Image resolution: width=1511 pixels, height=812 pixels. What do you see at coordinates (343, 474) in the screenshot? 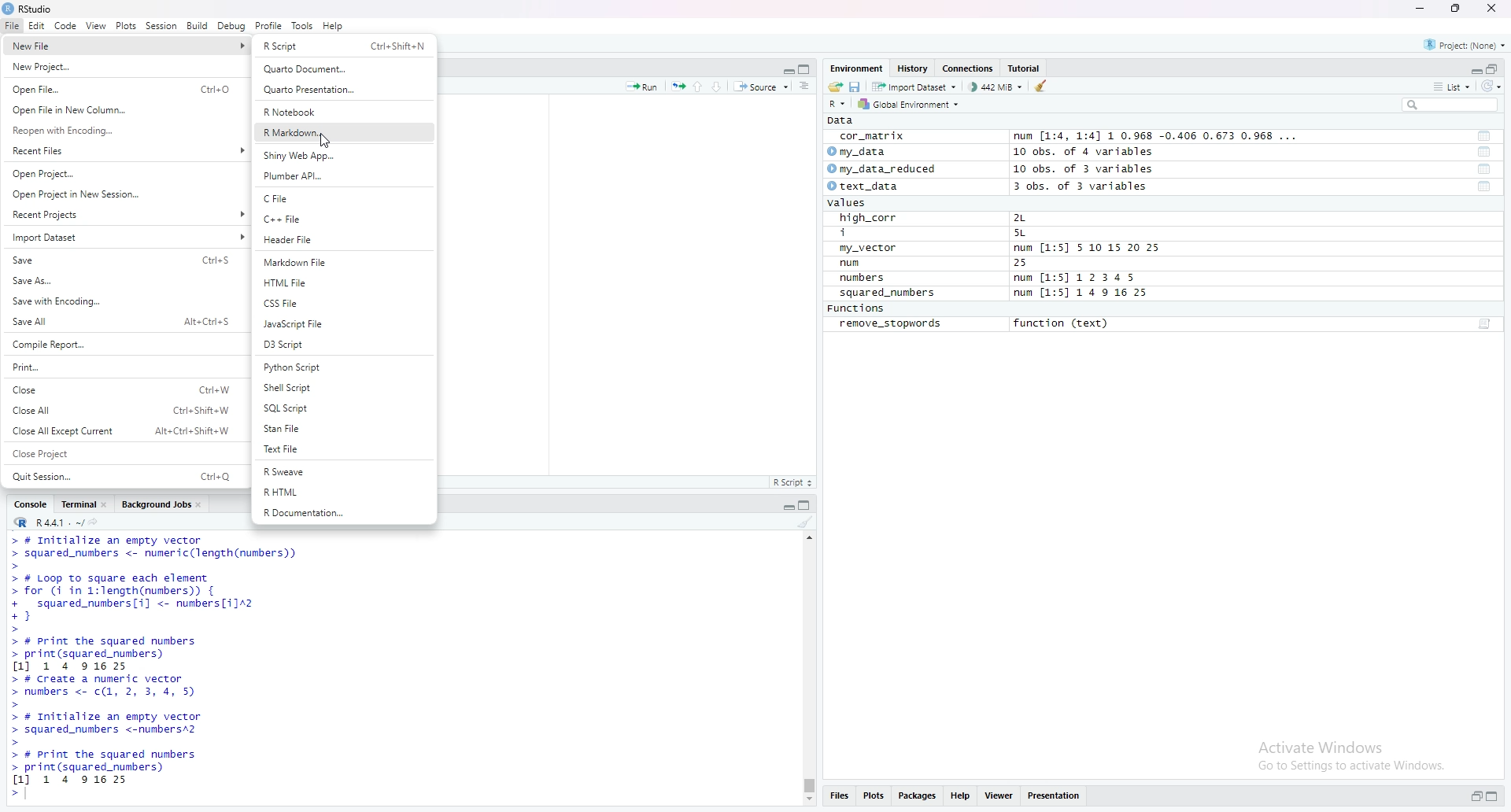
I see `R Sweave.` at bounding box center [343, 474].